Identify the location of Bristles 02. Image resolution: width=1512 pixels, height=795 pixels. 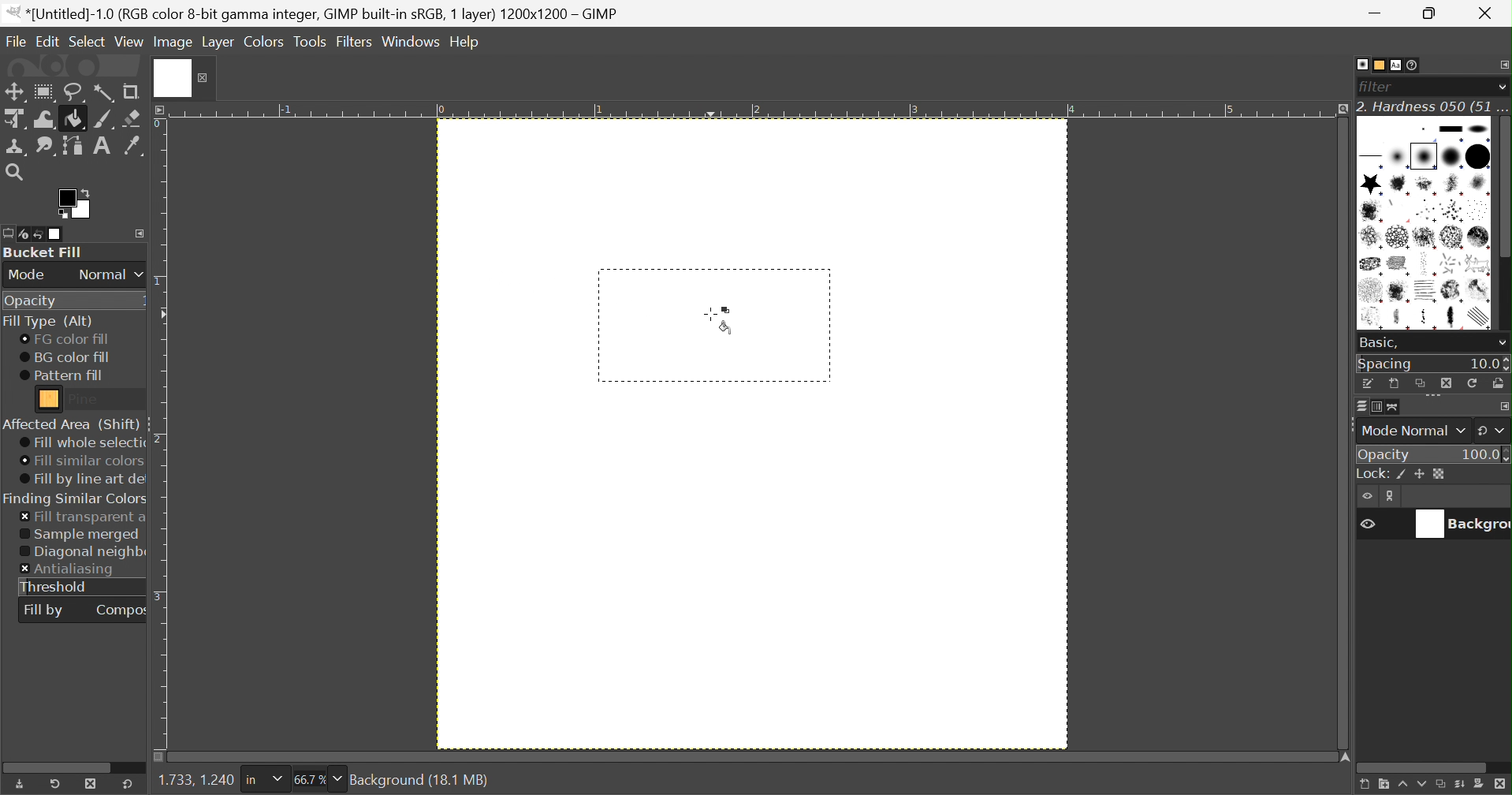
(1453, 211).